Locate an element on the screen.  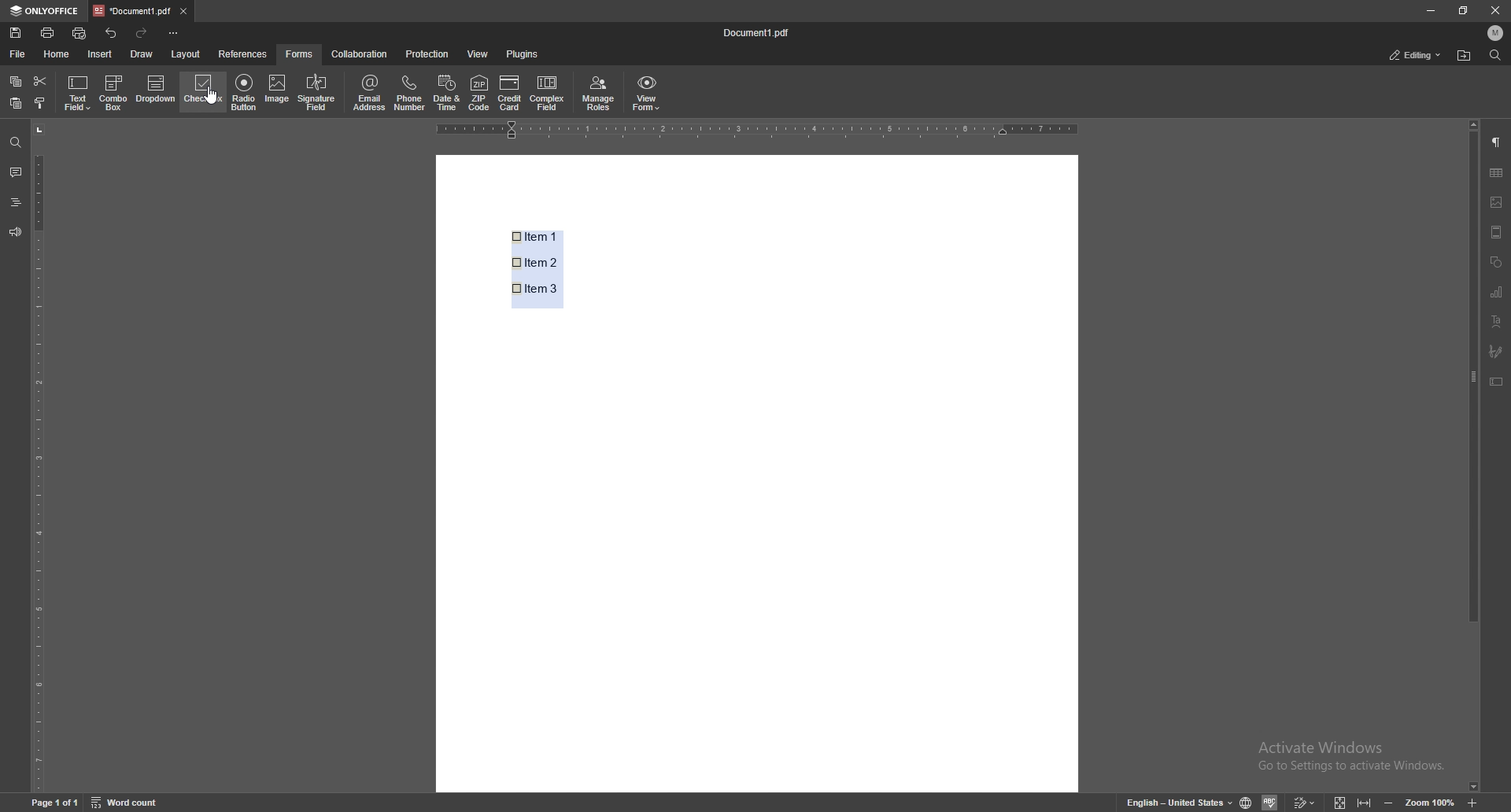
quick print is located at coordinates (79, 34).